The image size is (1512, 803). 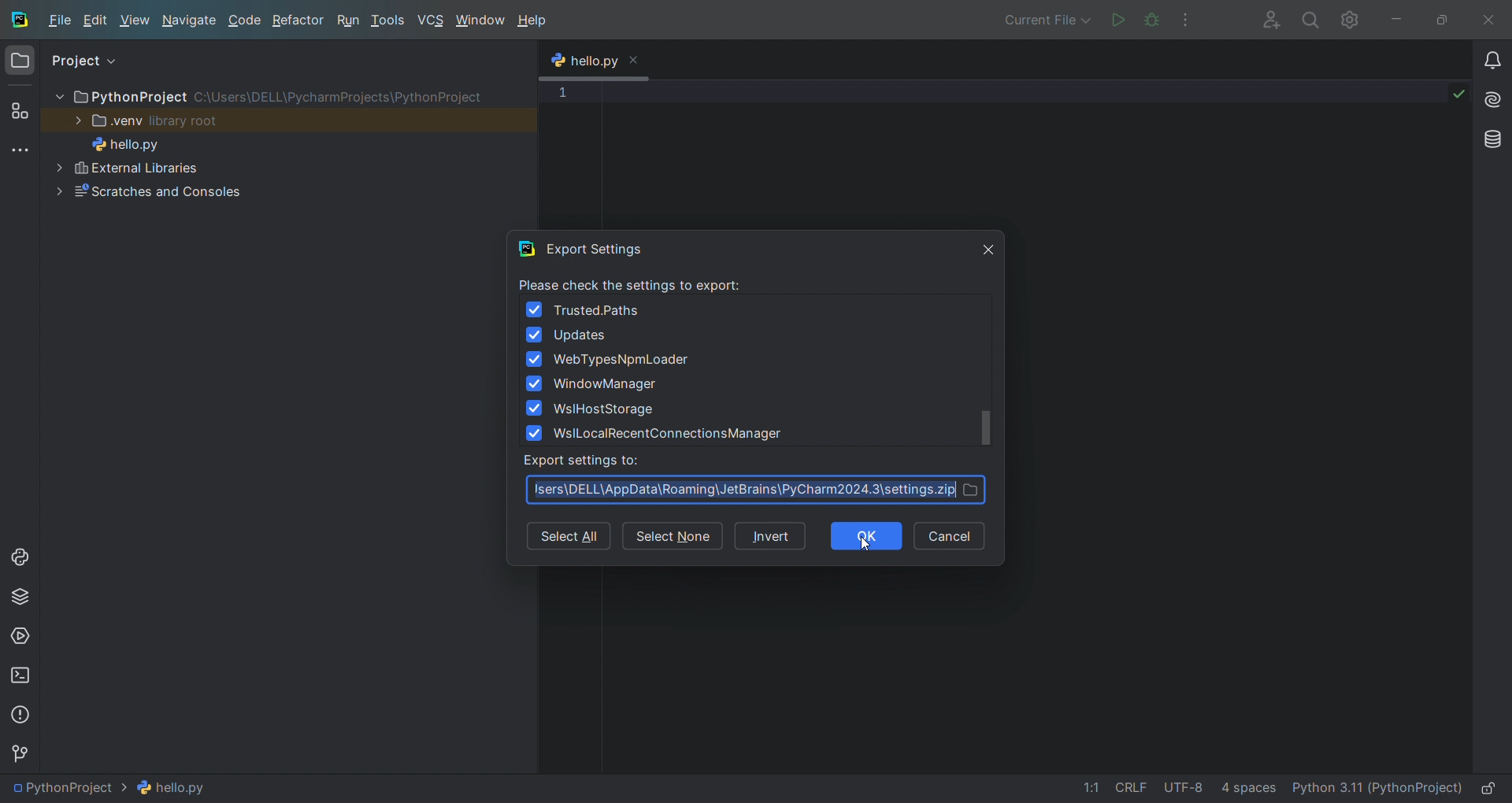 What do you see at coordinates (603, 249) in the screenshot?
I see `export settings` at bounding box center [603, 249].